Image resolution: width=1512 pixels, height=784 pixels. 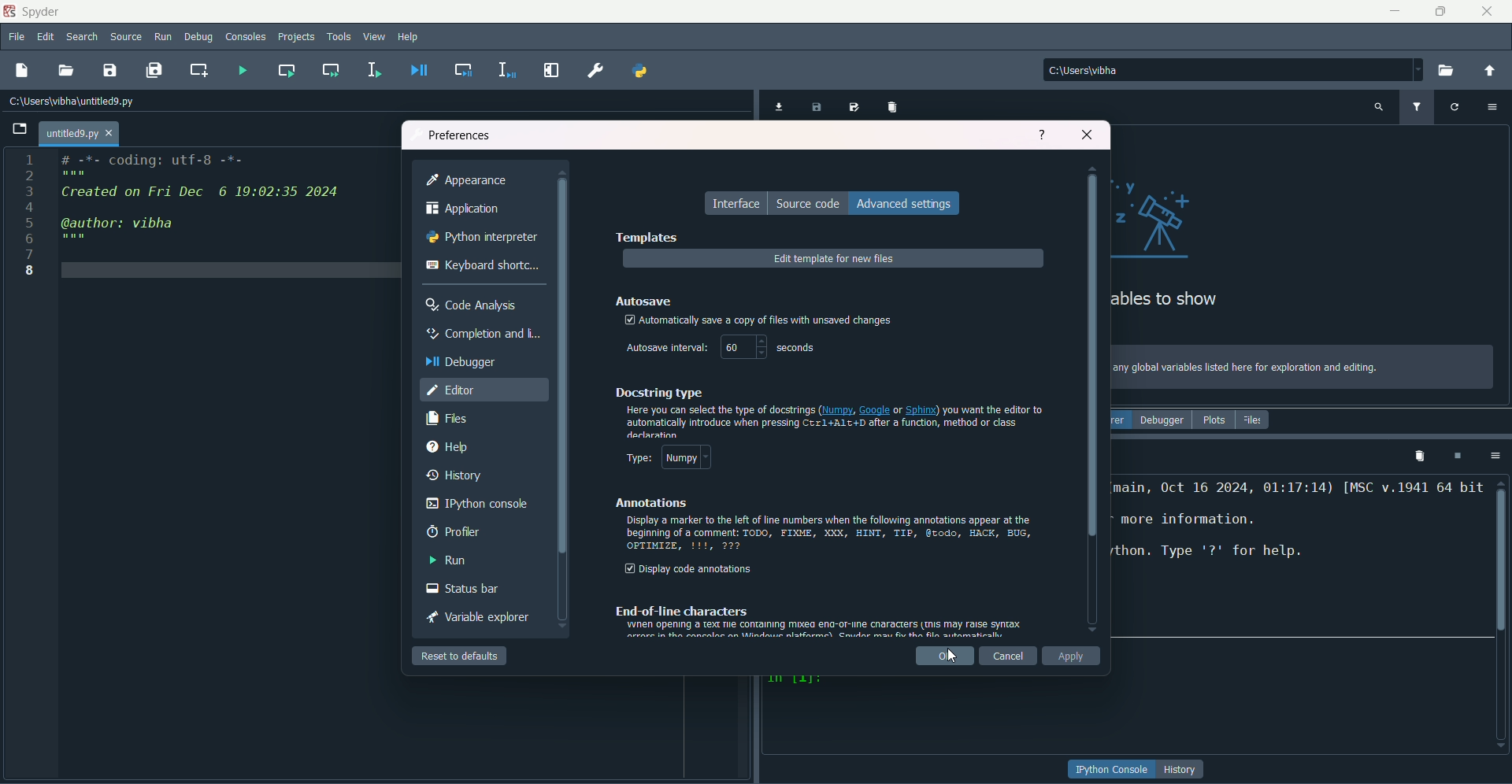 I want to click on display annotations, so click(x=689, y=570).